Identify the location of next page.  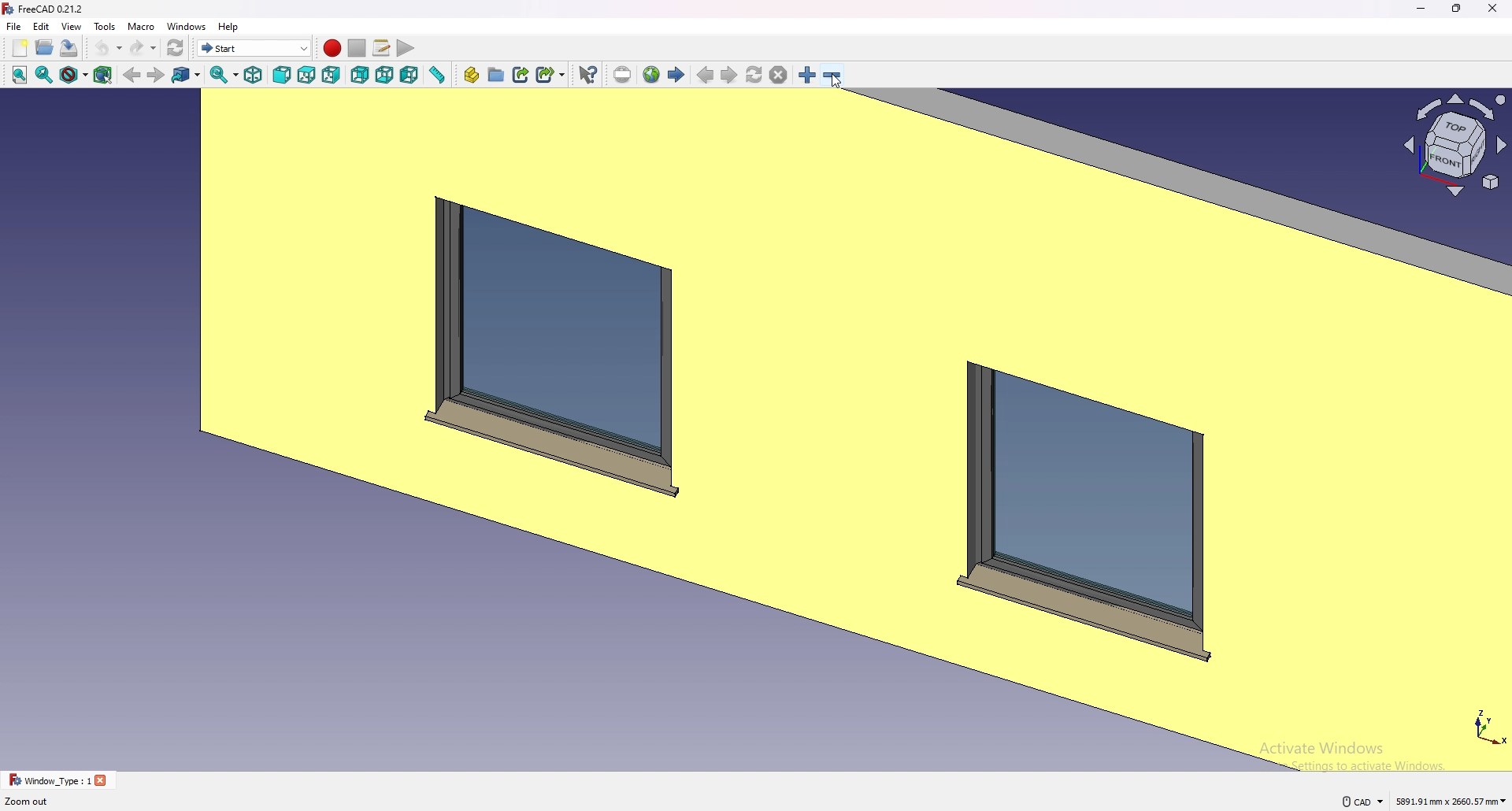
(730, 76).